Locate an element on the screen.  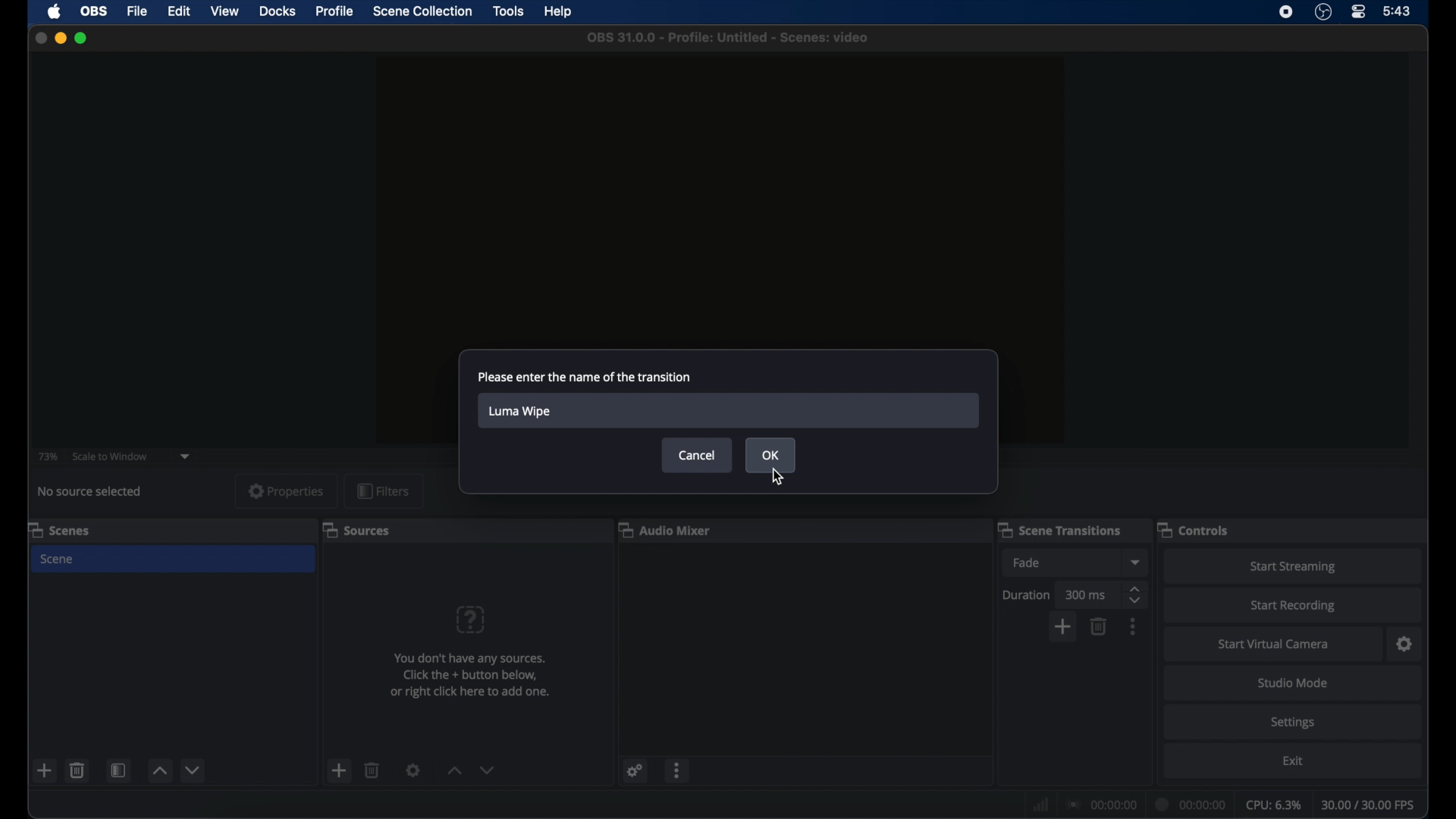
connection is located at coordinates (1103, 805).